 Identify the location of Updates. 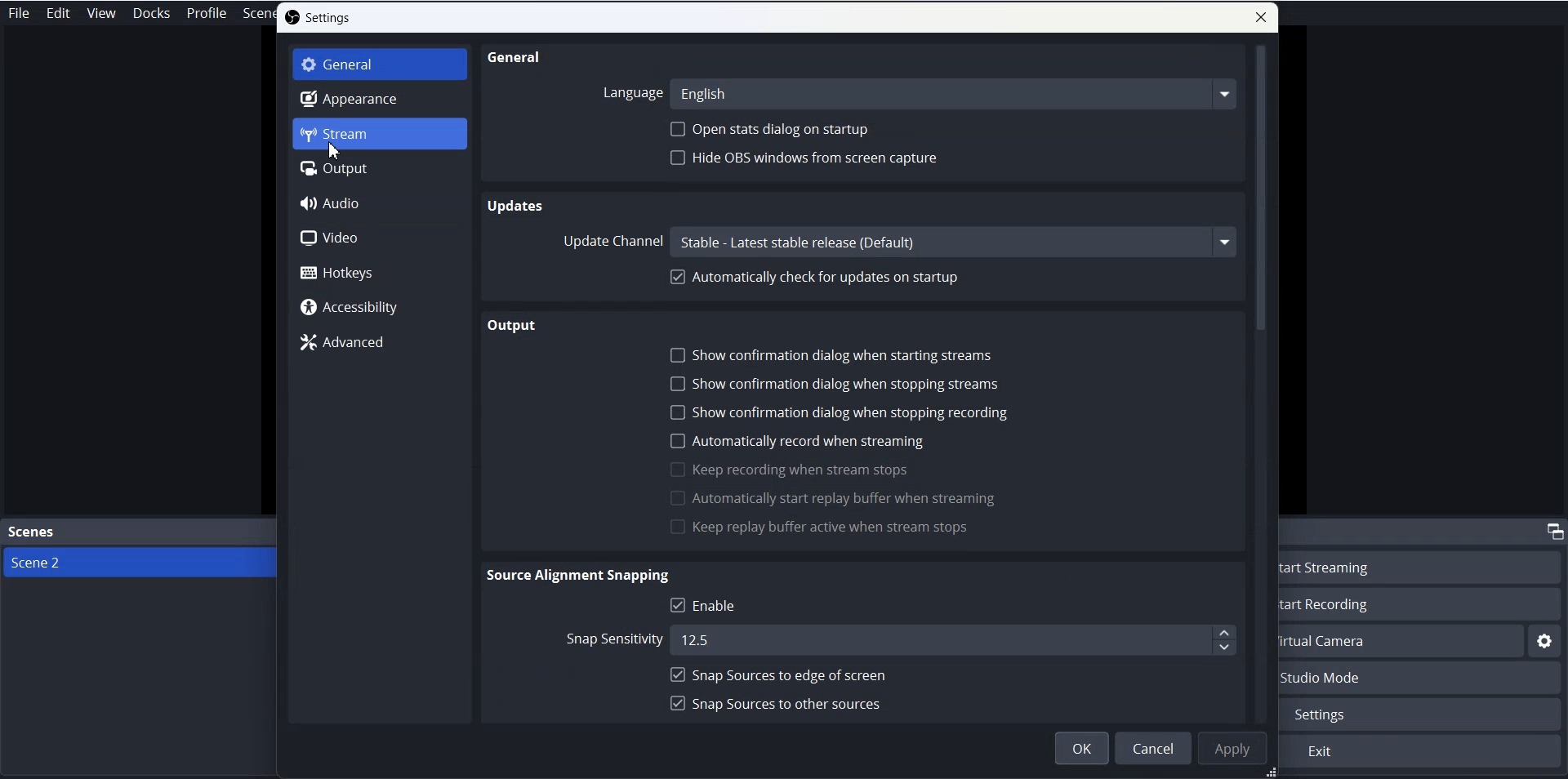
(516, 204).